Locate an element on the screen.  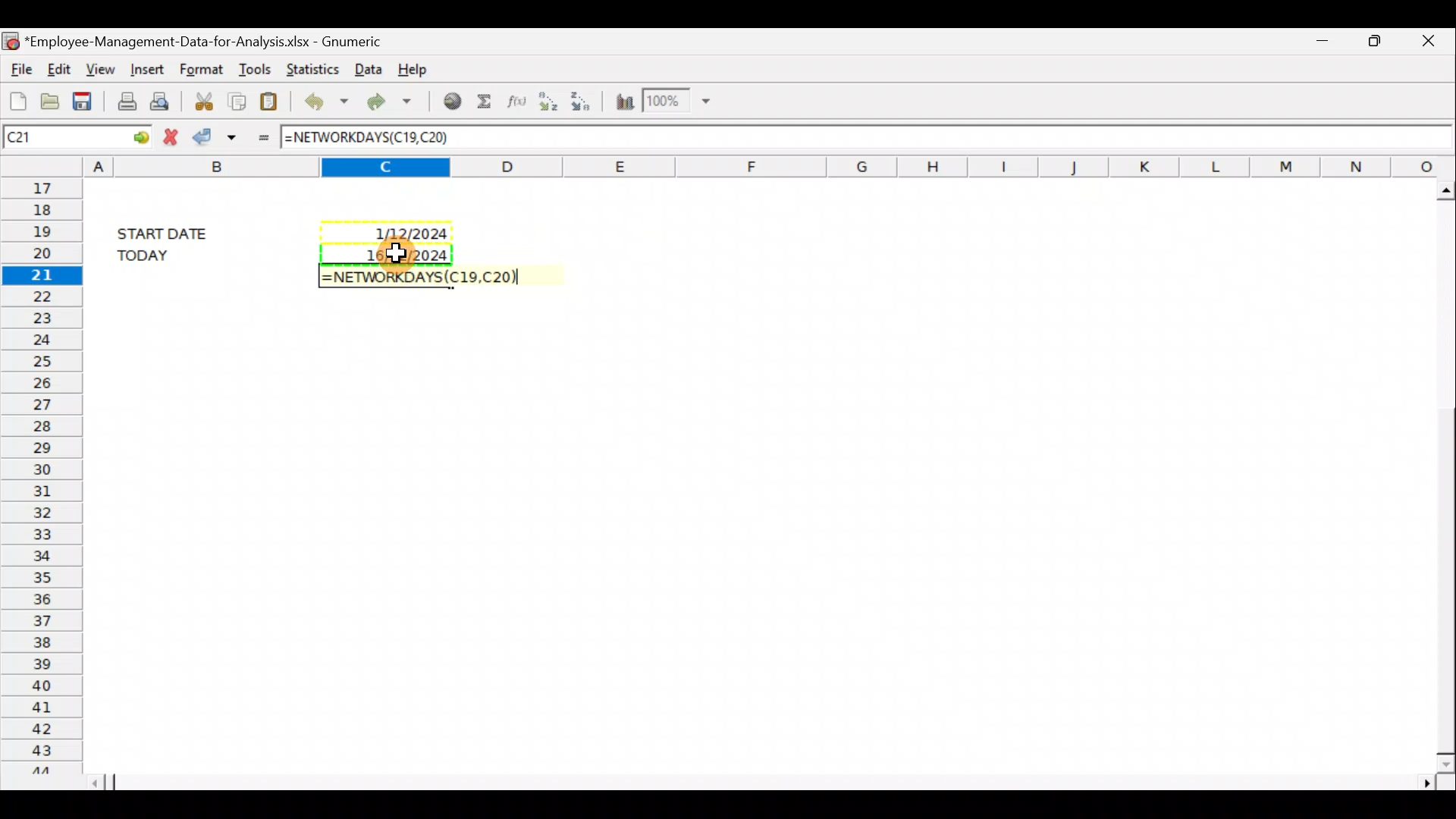
Tools is located at coordinates (253, 65).